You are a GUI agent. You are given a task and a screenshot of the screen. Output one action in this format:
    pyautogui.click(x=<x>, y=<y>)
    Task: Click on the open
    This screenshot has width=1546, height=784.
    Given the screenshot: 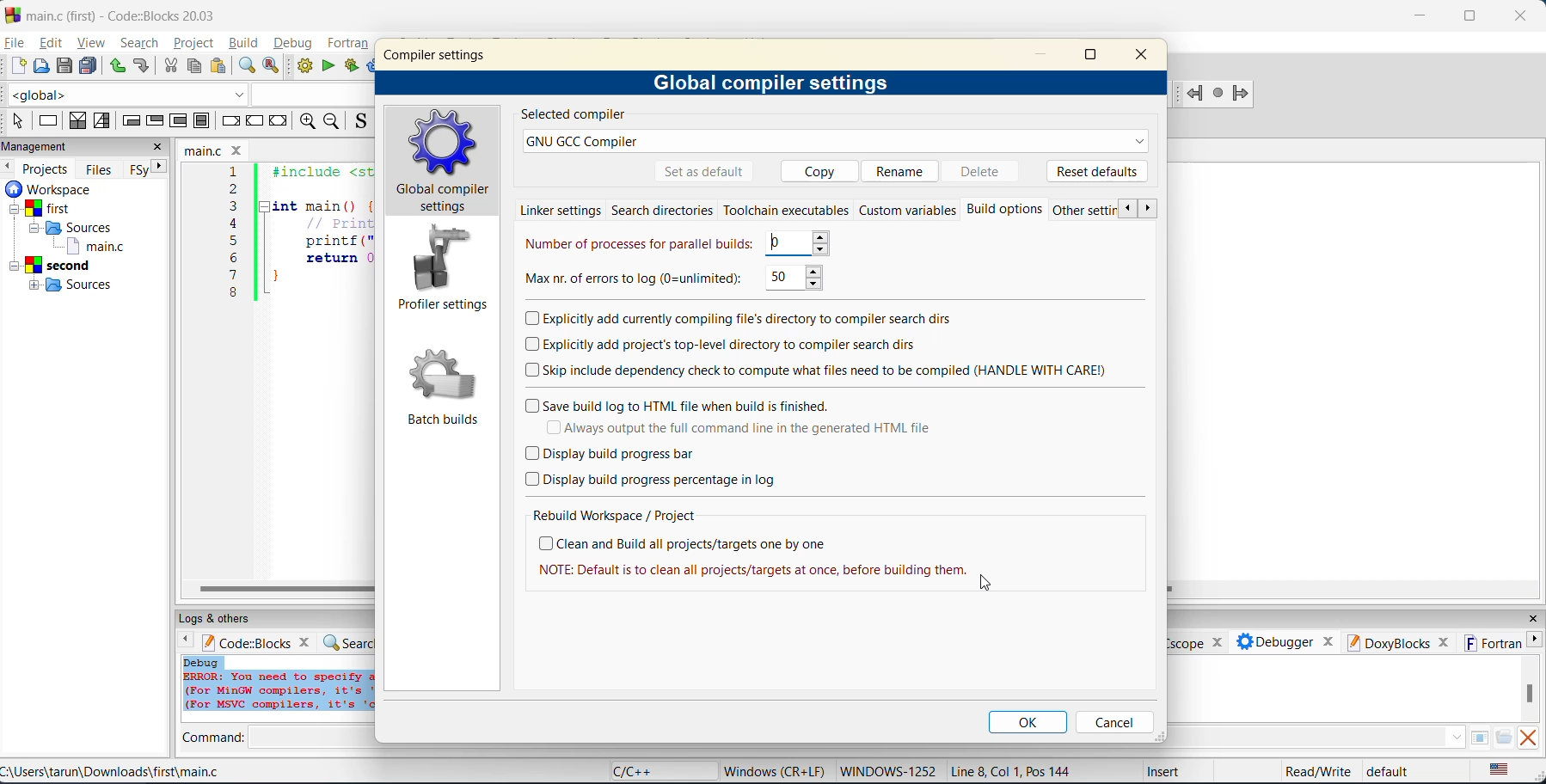 What is the action you would take?
    pyautogui.click(x=43, y=67)
    